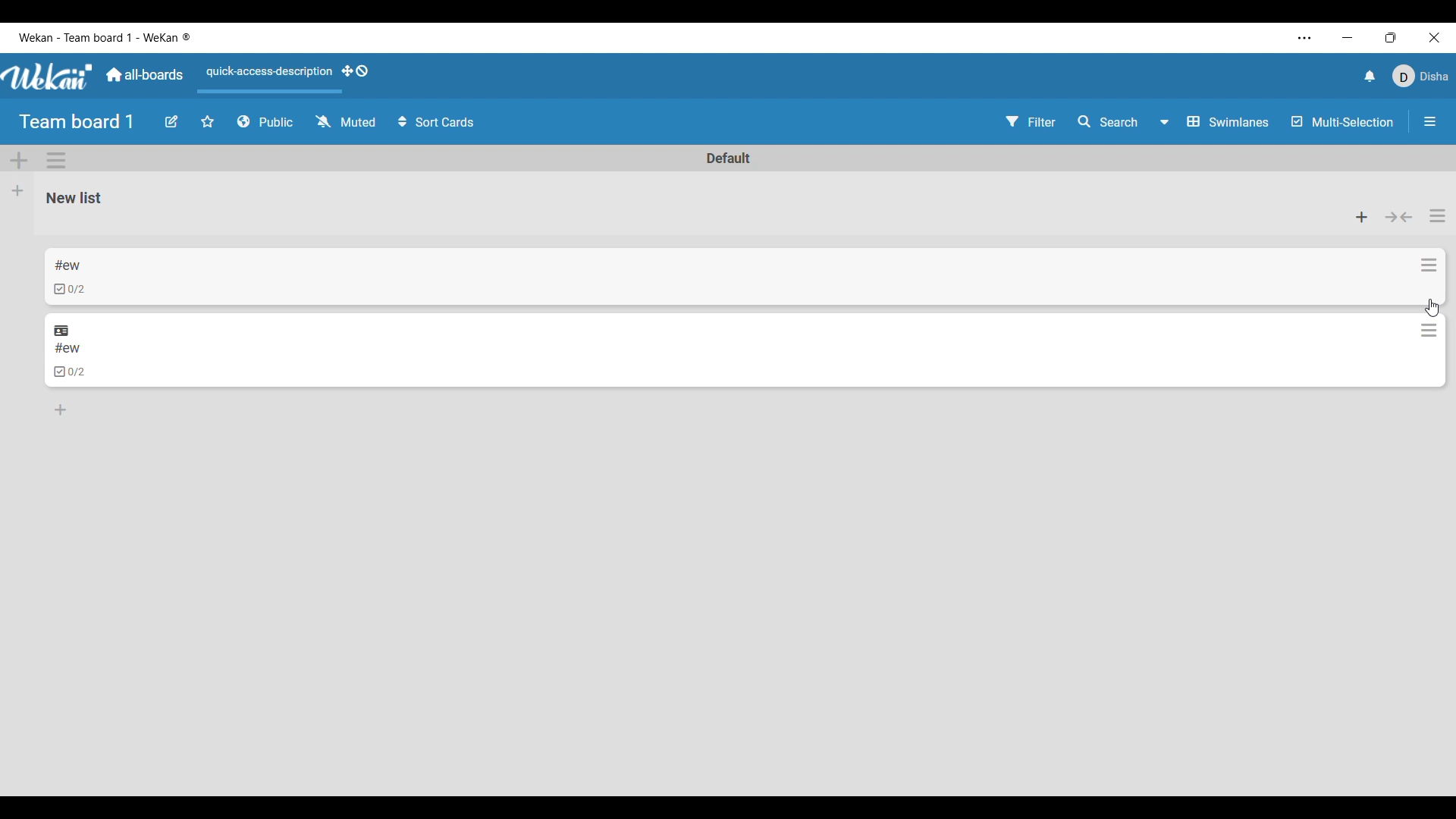  I want to click on Software logo, so click(49, 77).